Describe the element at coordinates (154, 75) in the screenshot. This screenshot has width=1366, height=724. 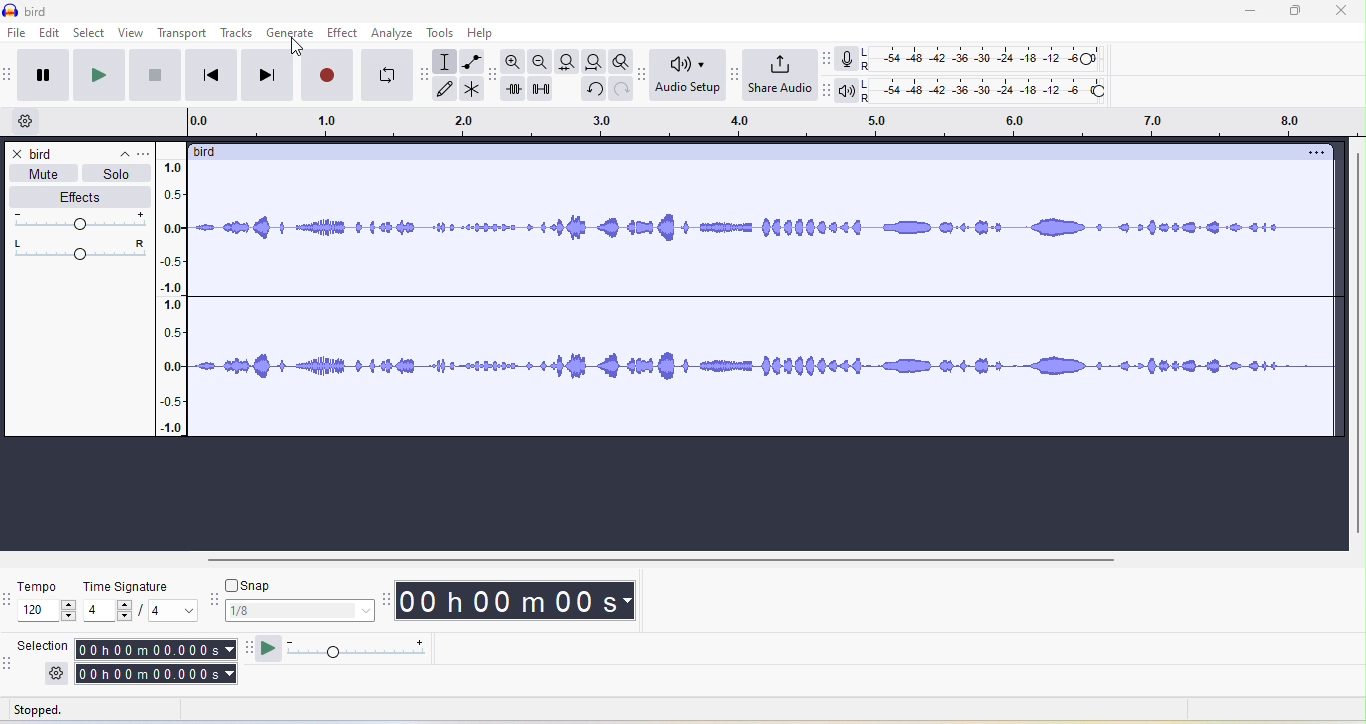
I see `stop` at that location.